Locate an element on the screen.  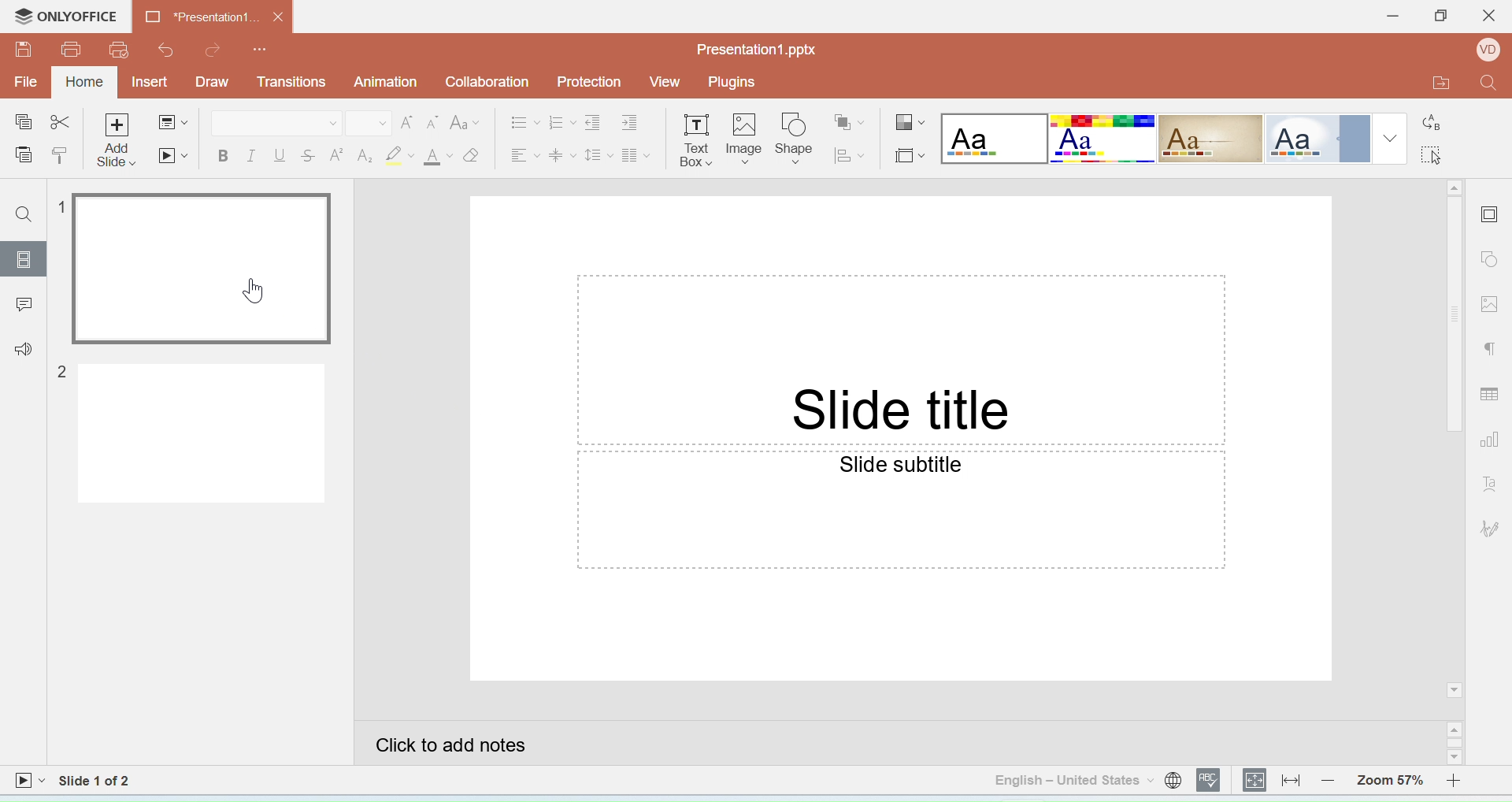
Chart settings is located at coordinates (1494, 441).